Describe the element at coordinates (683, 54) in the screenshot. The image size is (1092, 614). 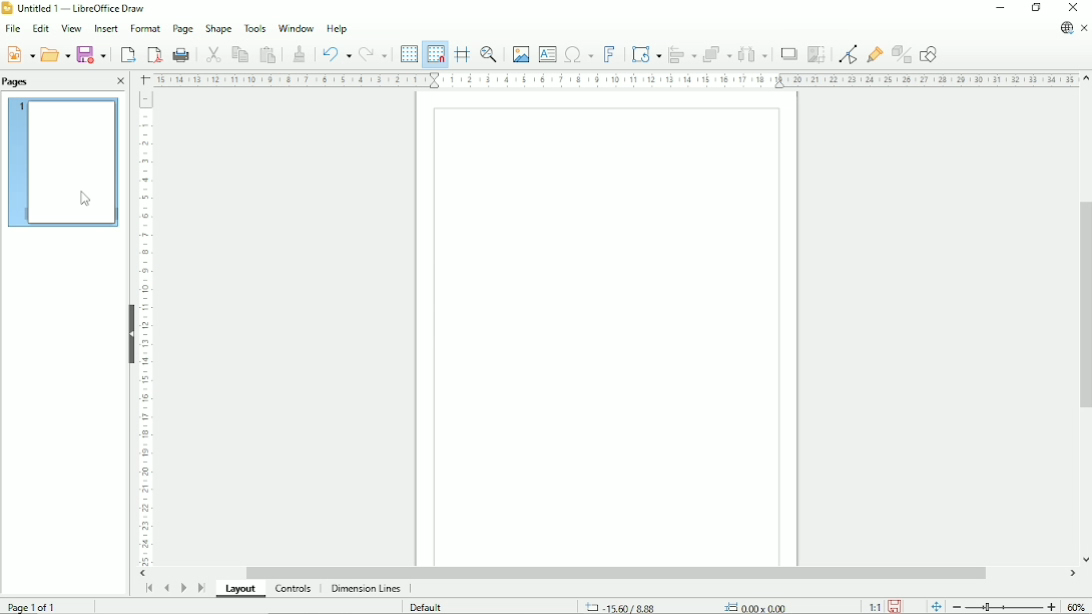
I see `Align objects` at that location.